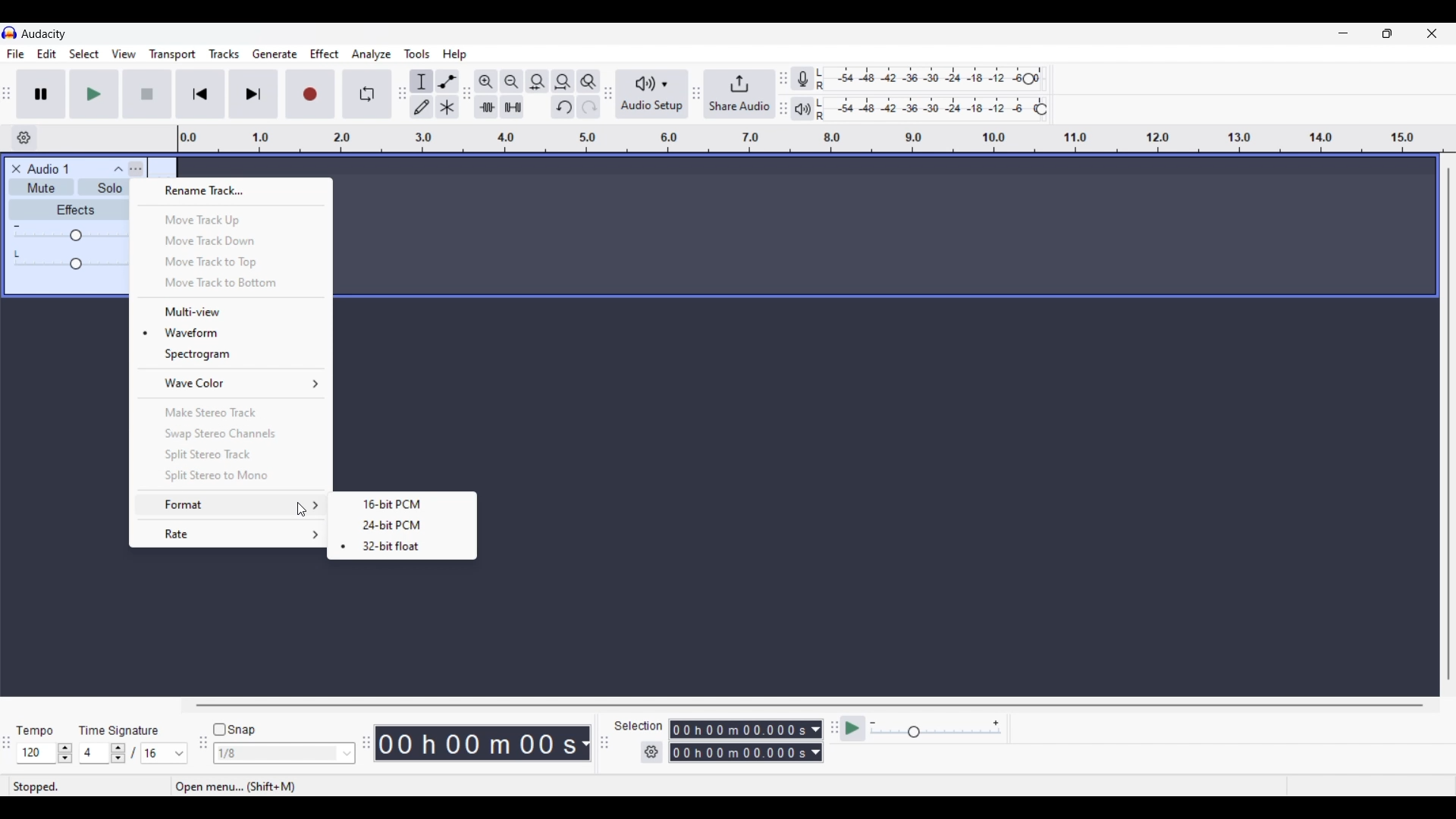 The width and height of the screenshot is (1456, 819). Describe the element at coordinates (84, 55) in the screenshot. I see `Select menu` at that location.